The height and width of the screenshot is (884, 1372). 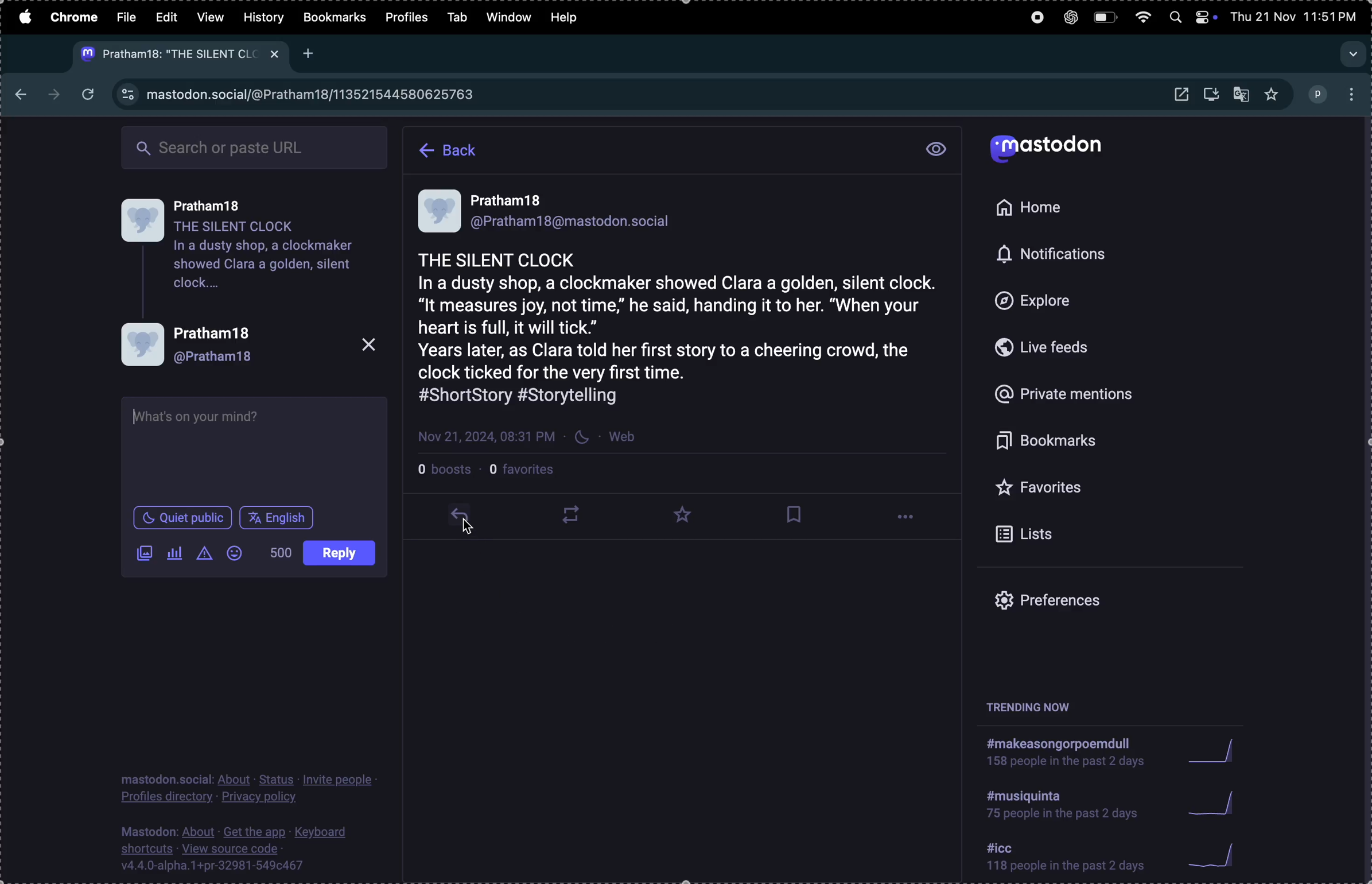 What do you see at coordinates (232, 549) in the screenshot?
I see `add emoji` at bounding box center [232, 549].